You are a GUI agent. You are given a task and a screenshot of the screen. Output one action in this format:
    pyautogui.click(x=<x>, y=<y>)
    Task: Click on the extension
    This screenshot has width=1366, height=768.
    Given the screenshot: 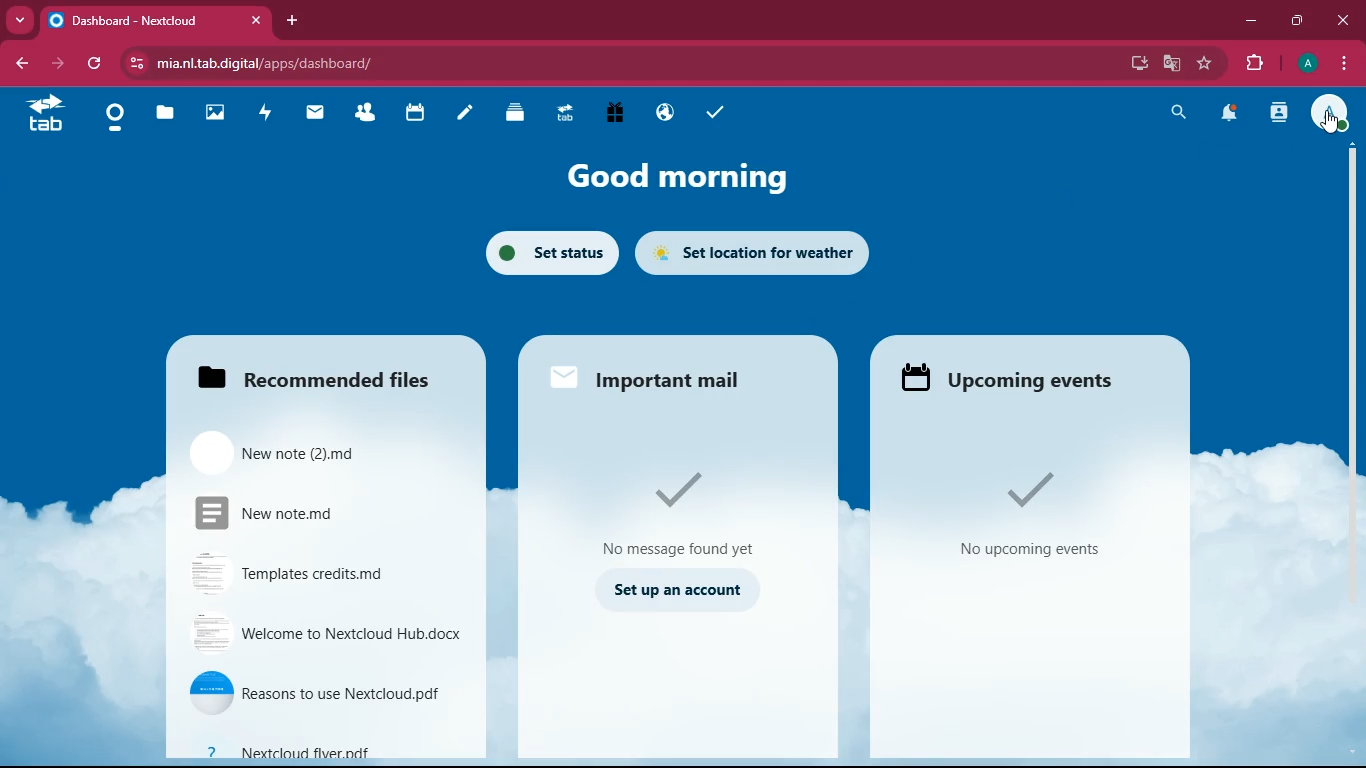 What is the action you would take?
    pyautogui.click(x=1252, y=64)
    